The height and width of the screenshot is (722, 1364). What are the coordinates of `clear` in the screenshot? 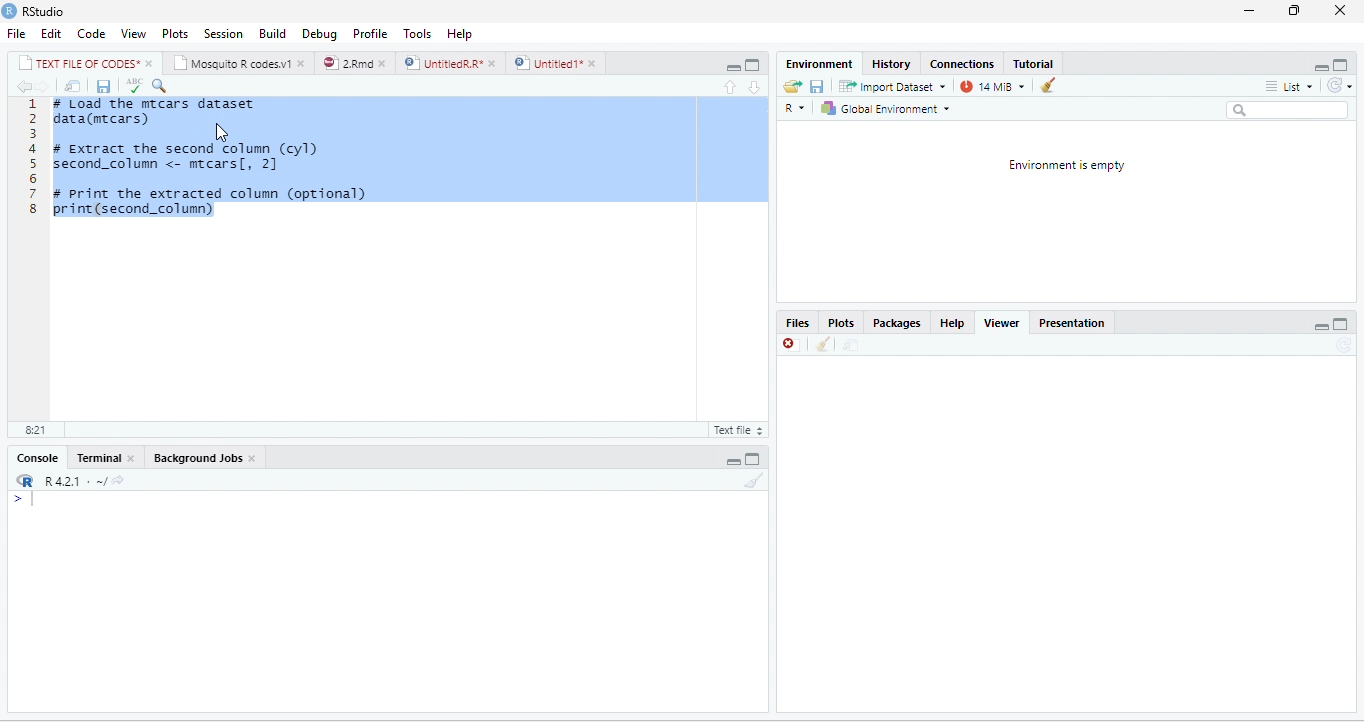 It's located at (754, 481).